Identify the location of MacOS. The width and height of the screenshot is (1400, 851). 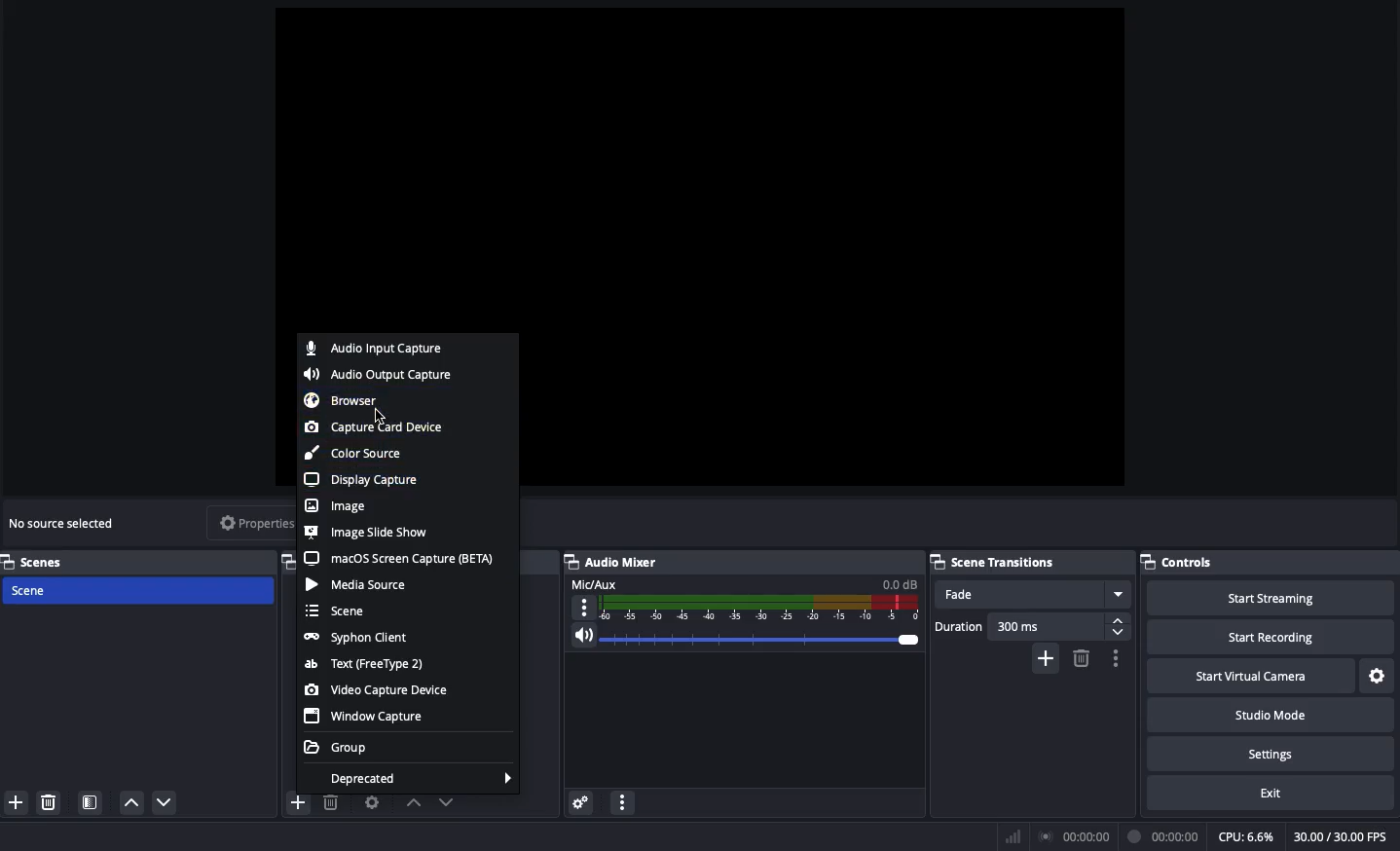
(402, 560).